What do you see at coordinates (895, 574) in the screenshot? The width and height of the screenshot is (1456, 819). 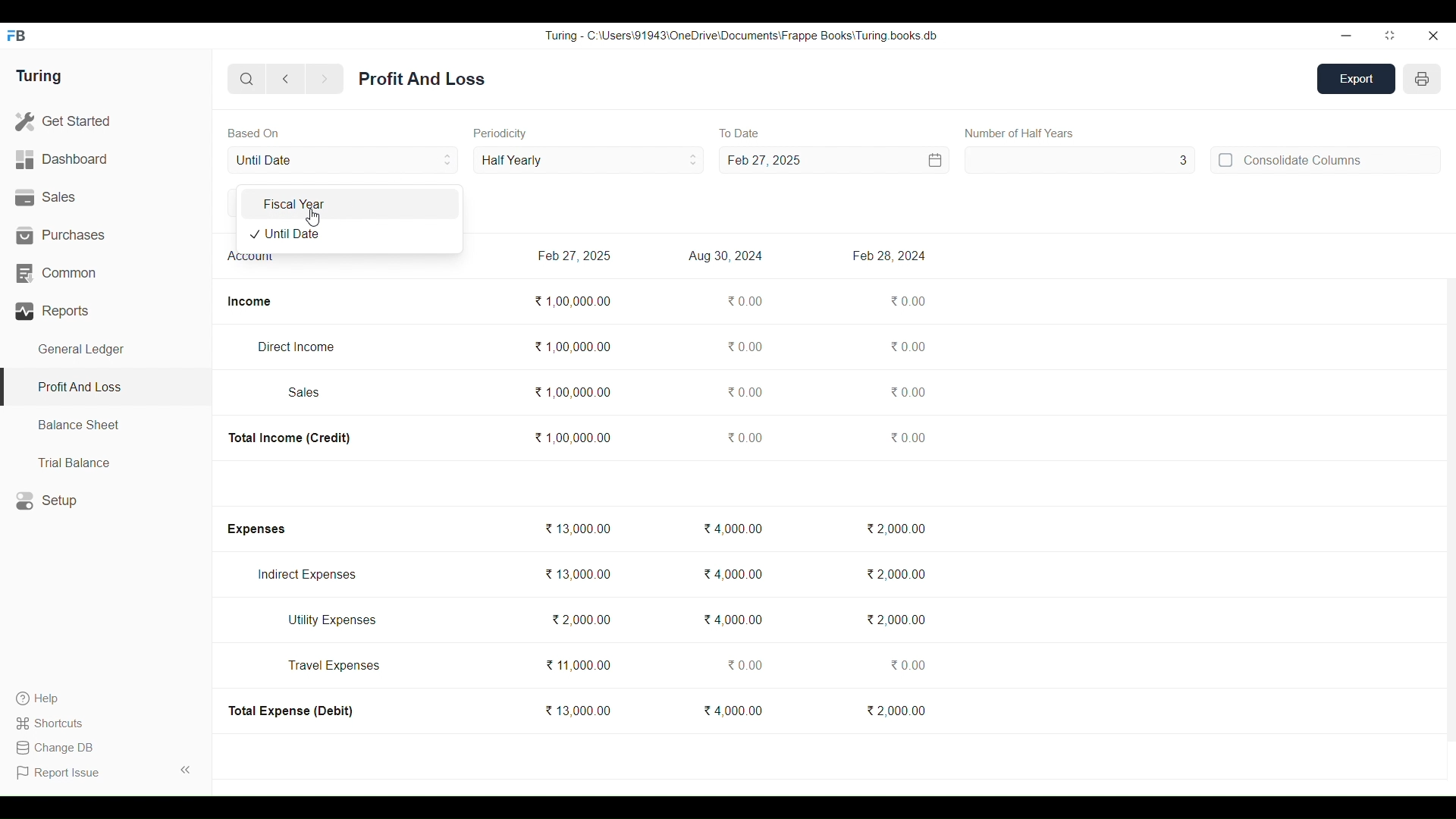 I see `2,000.00` at bounding box center [895, 574].